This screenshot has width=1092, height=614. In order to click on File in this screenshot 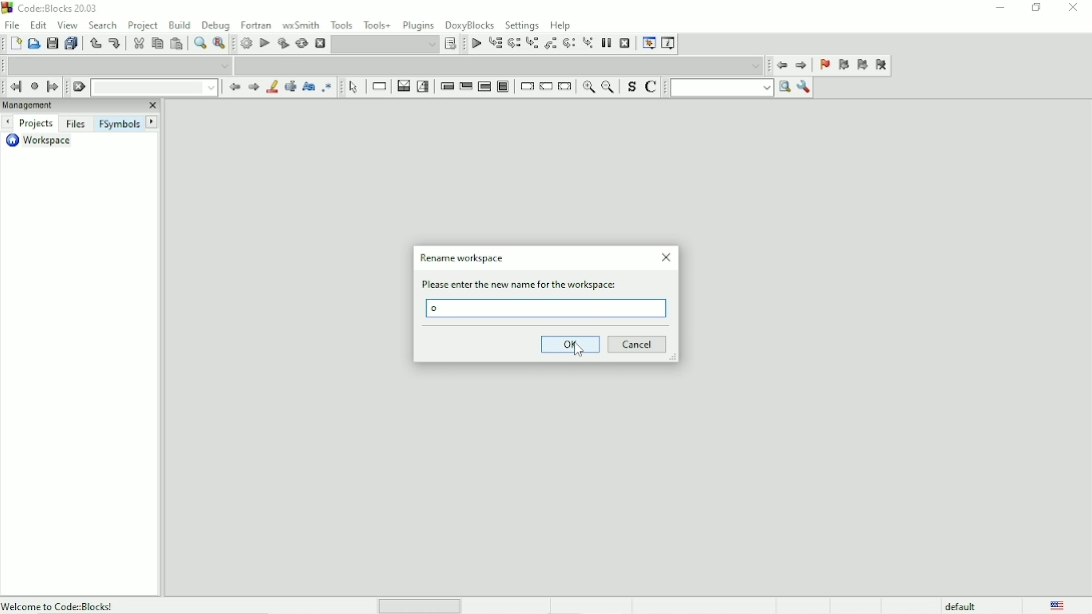, I will do `click(12, 24)`.